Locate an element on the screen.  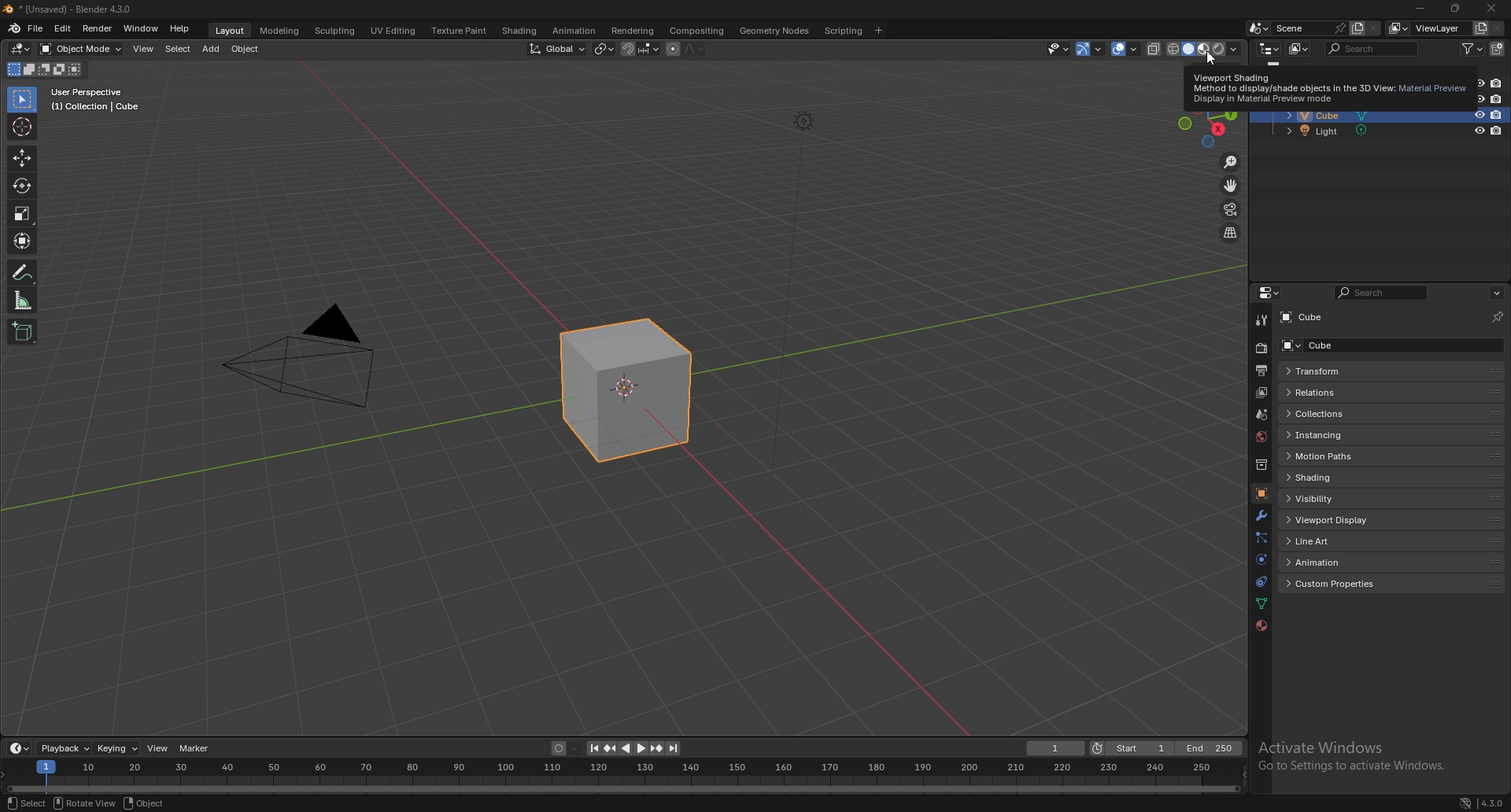
show gizmo is located at coordinates (1091, 49).